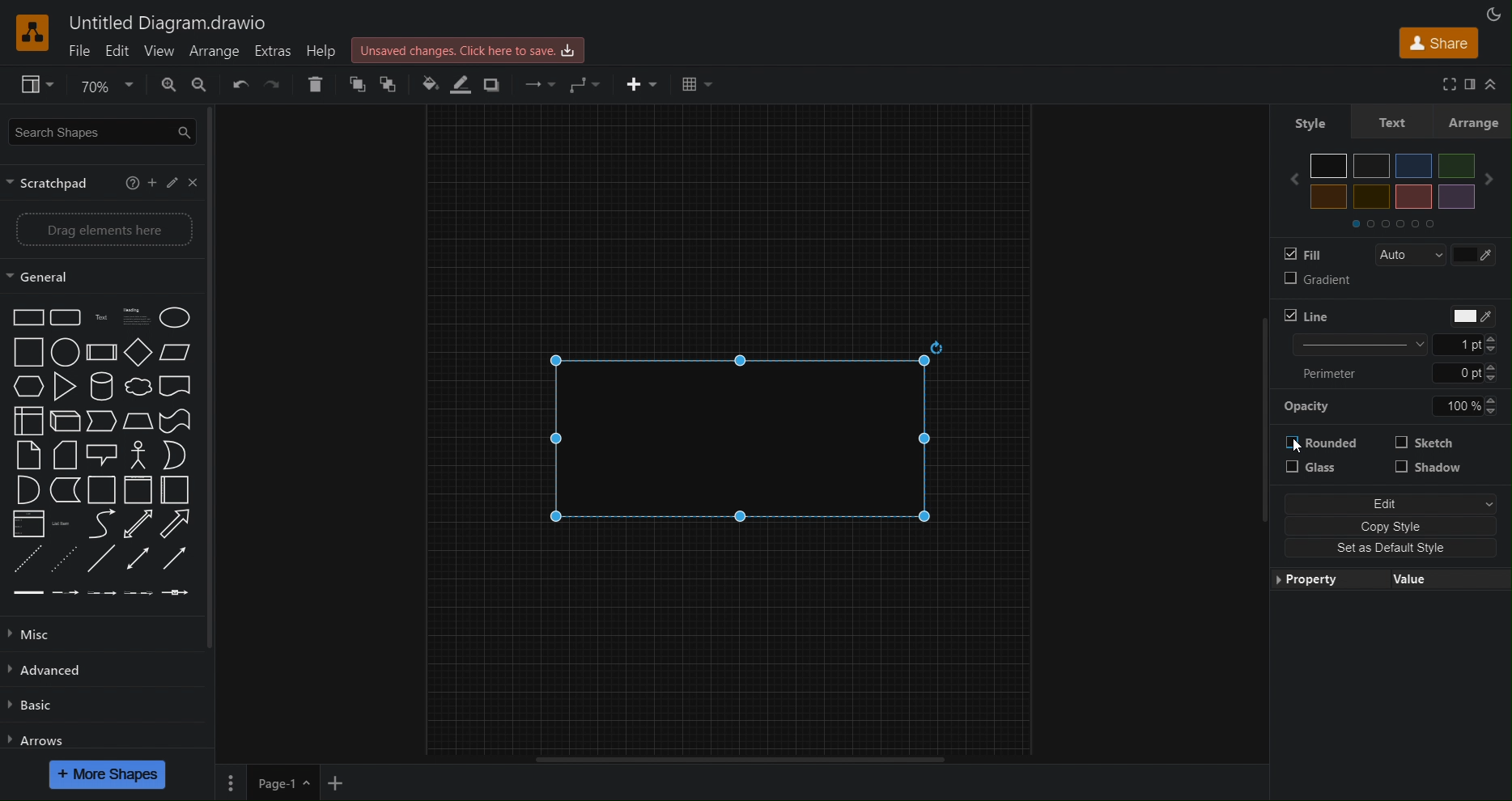  I want to click on Untitled Diagram.drawio, so click(170, 23).